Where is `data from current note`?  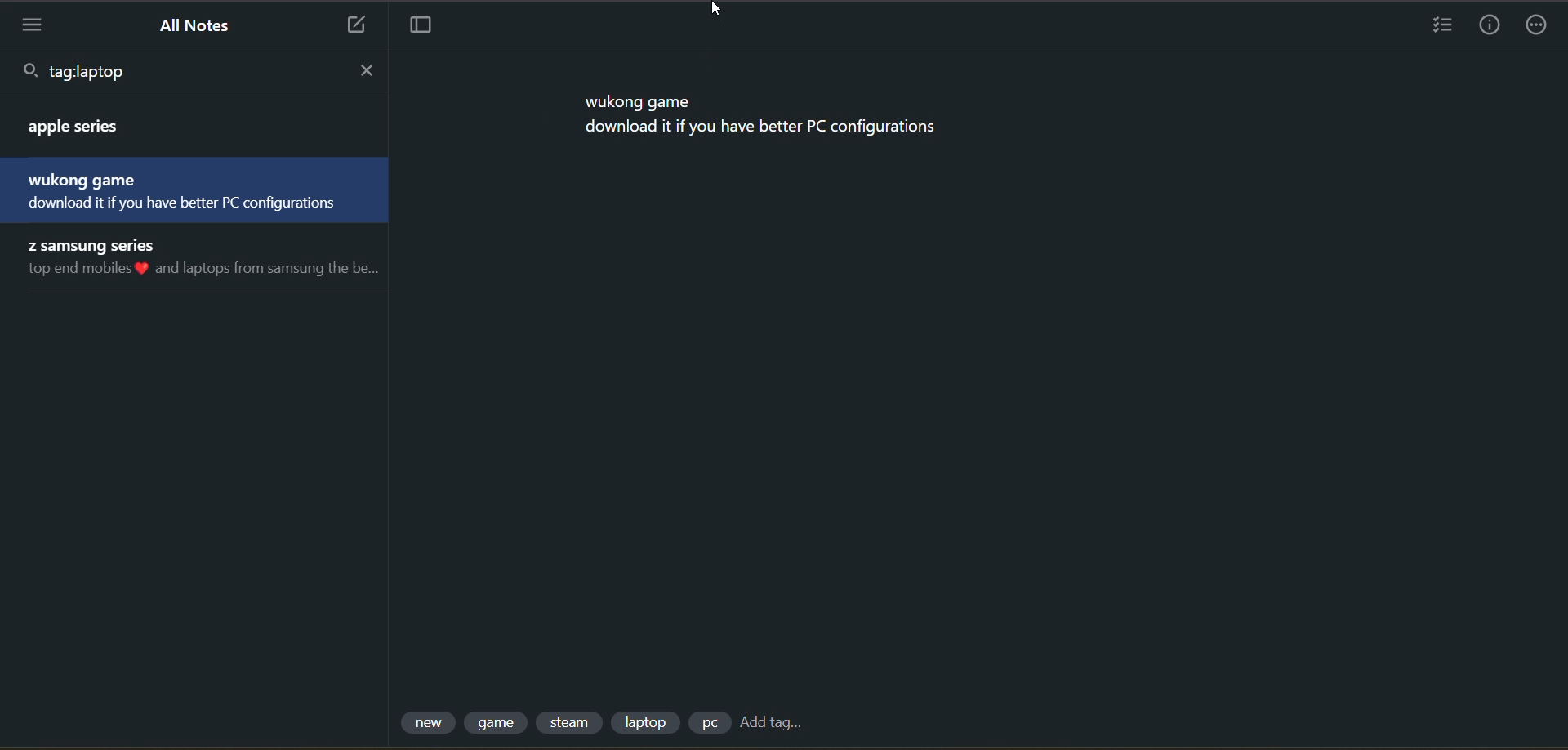
data from current note is located at coordinates (765, 118).